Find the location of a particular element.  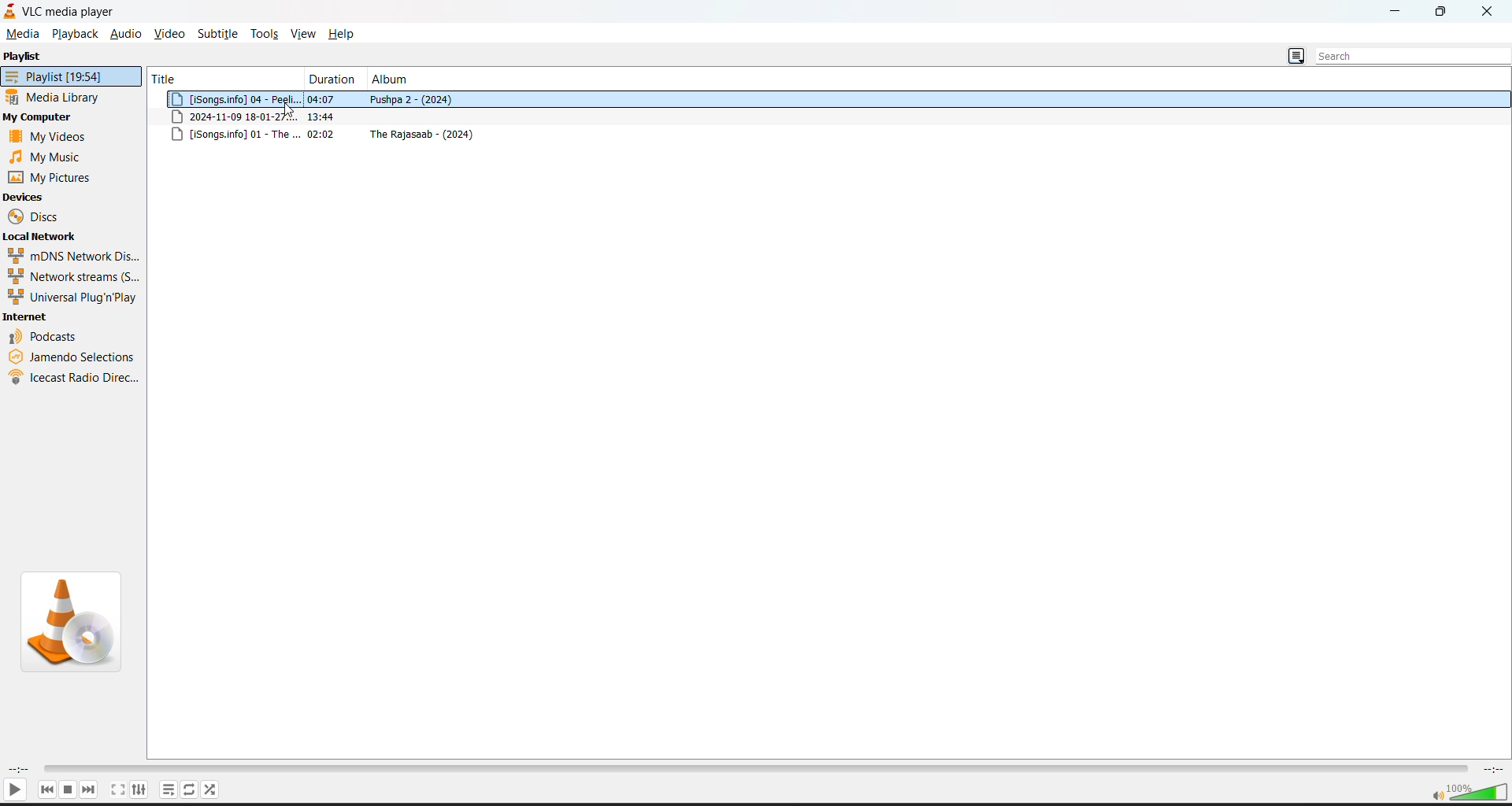

playlist is located at coordinates (71, 76).